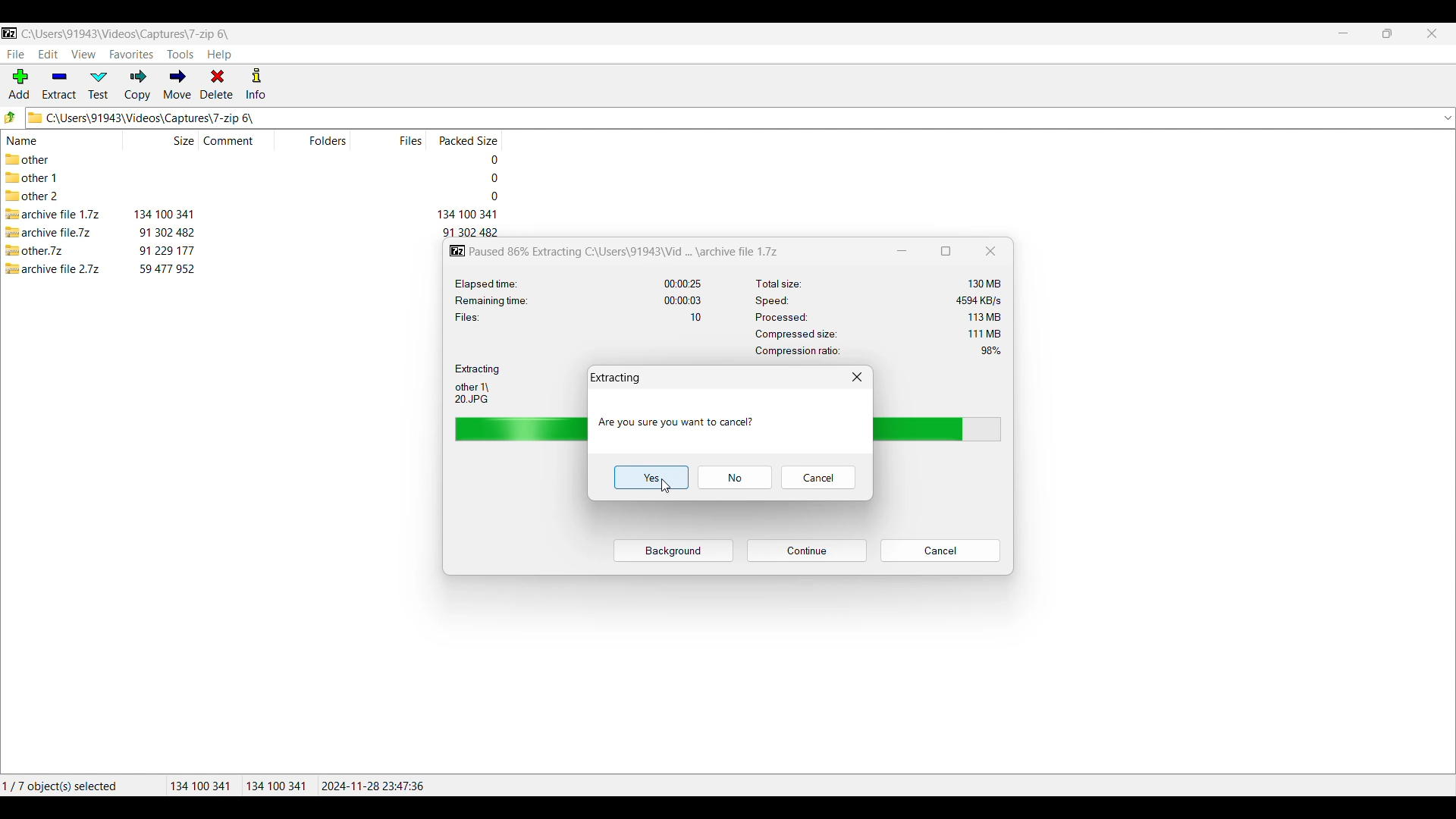  I want to click on Add, so click(19, 83).